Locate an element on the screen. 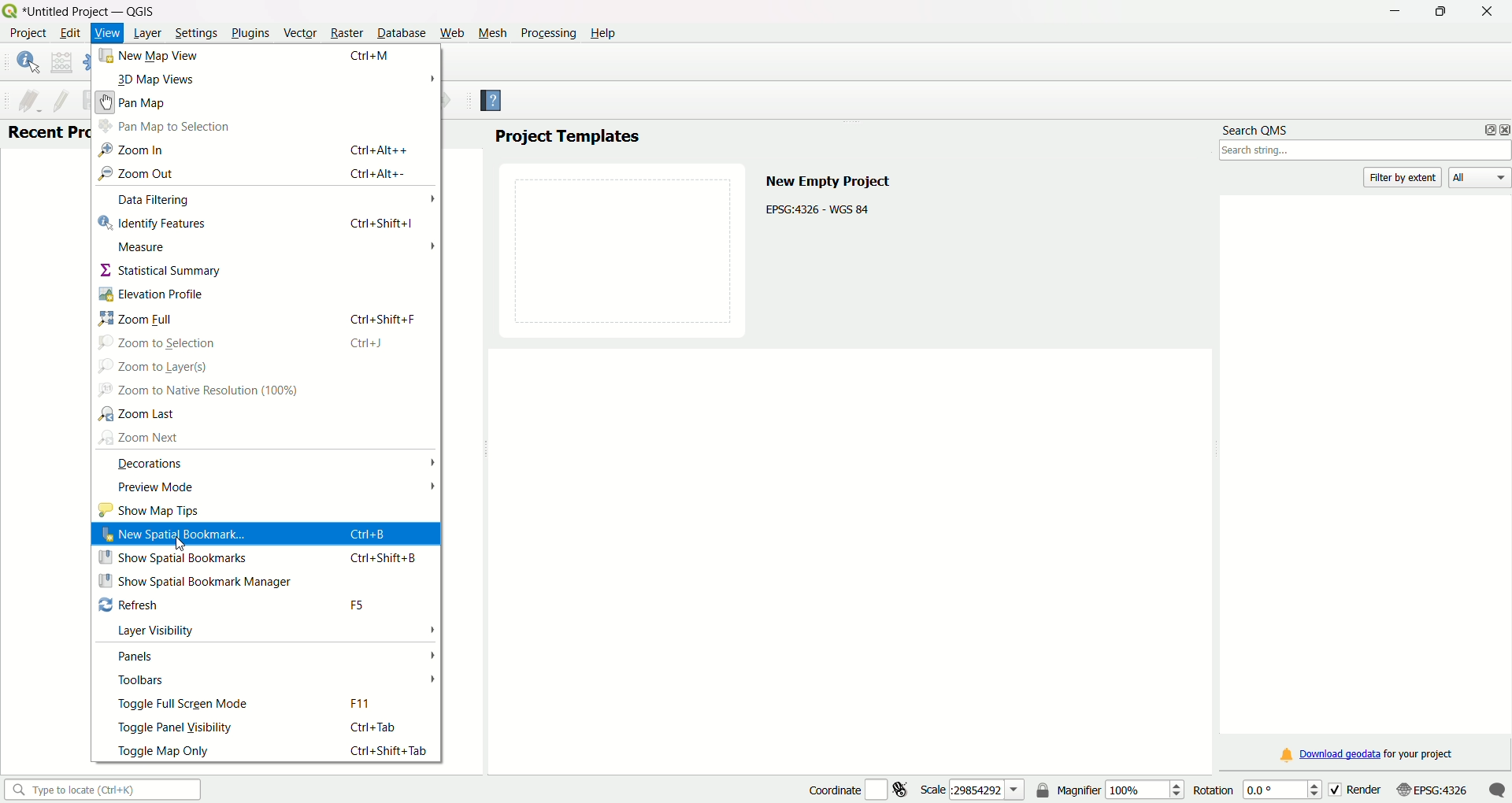 The height and width of the screenshot is (803, 1512). arrow is located at coordinates (430, 654).